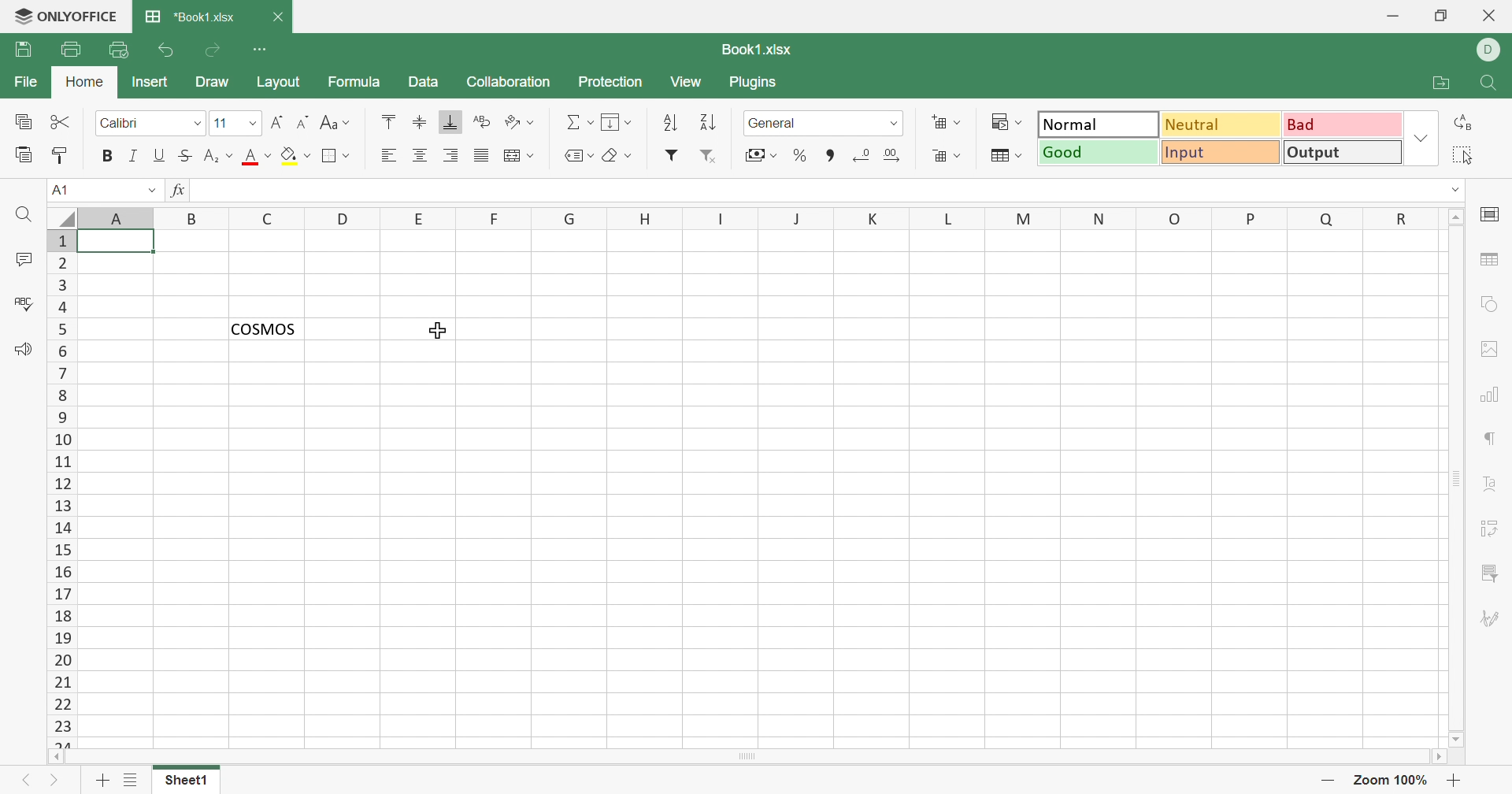  What do you see at coordinates (801, 156) in the screenshot?
I see `Percent style` at bounding box center [801, 156].